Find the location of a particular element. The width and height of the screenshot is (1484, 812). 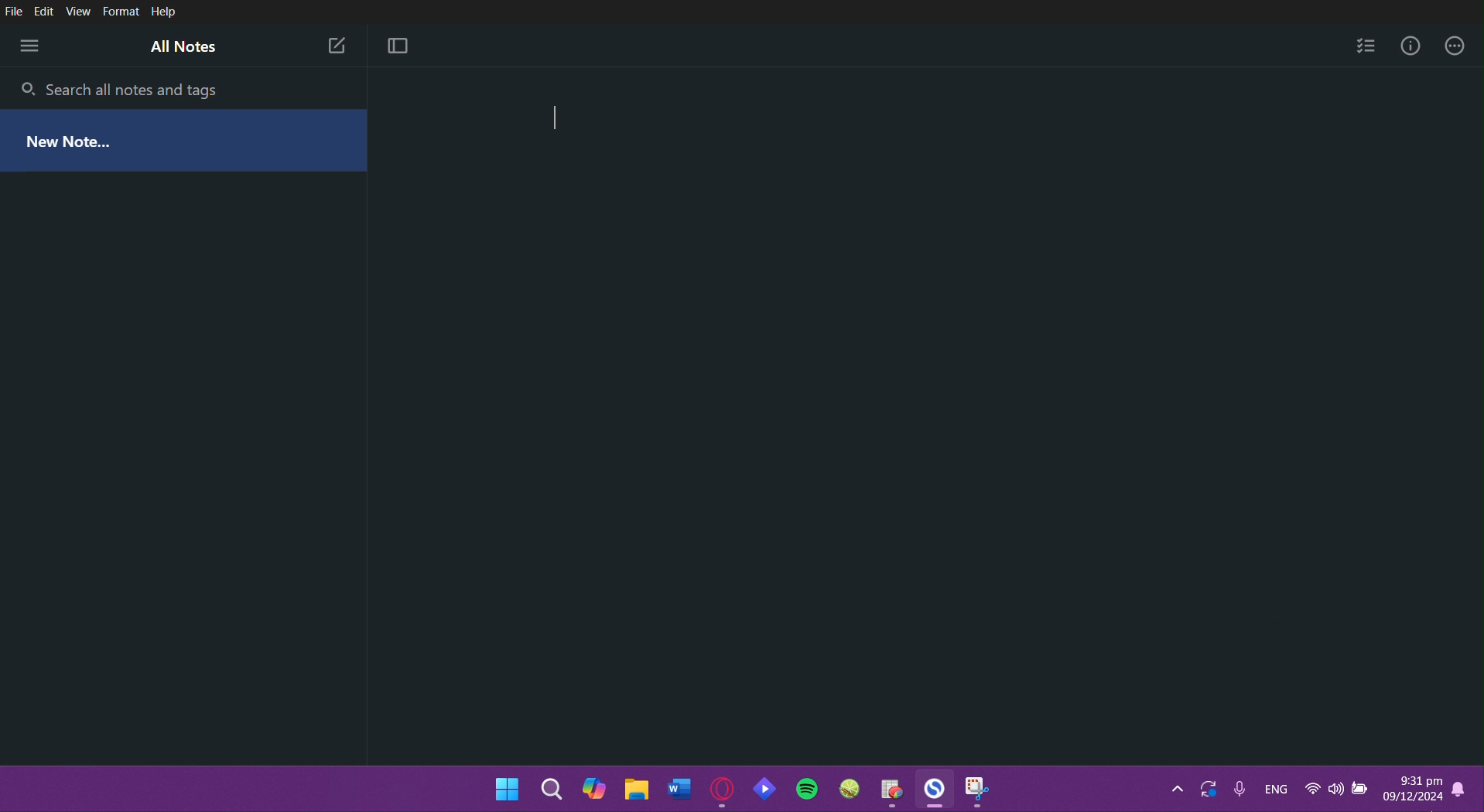

More is located at coordinates (1455, 46).